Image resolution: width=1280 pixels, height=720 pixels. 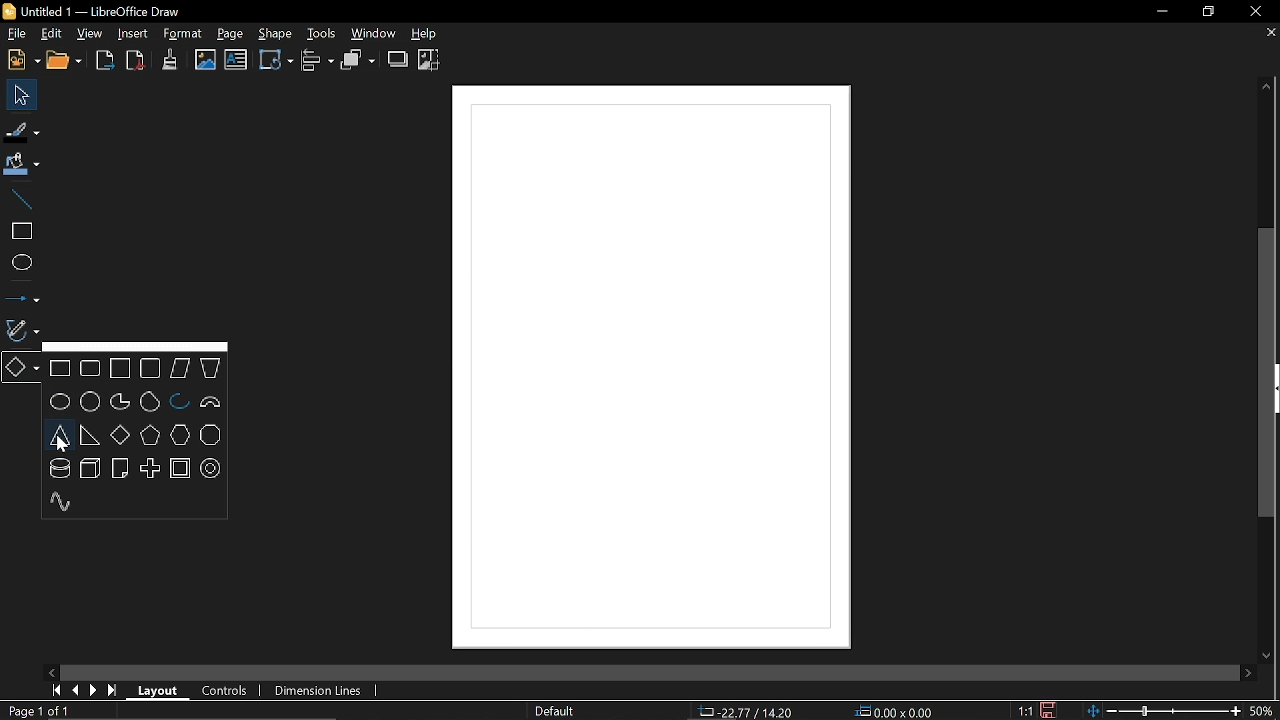 What do you see at coordinates (21, 61) in the screenshot?
I see `New` at bounding box center [21, 61].